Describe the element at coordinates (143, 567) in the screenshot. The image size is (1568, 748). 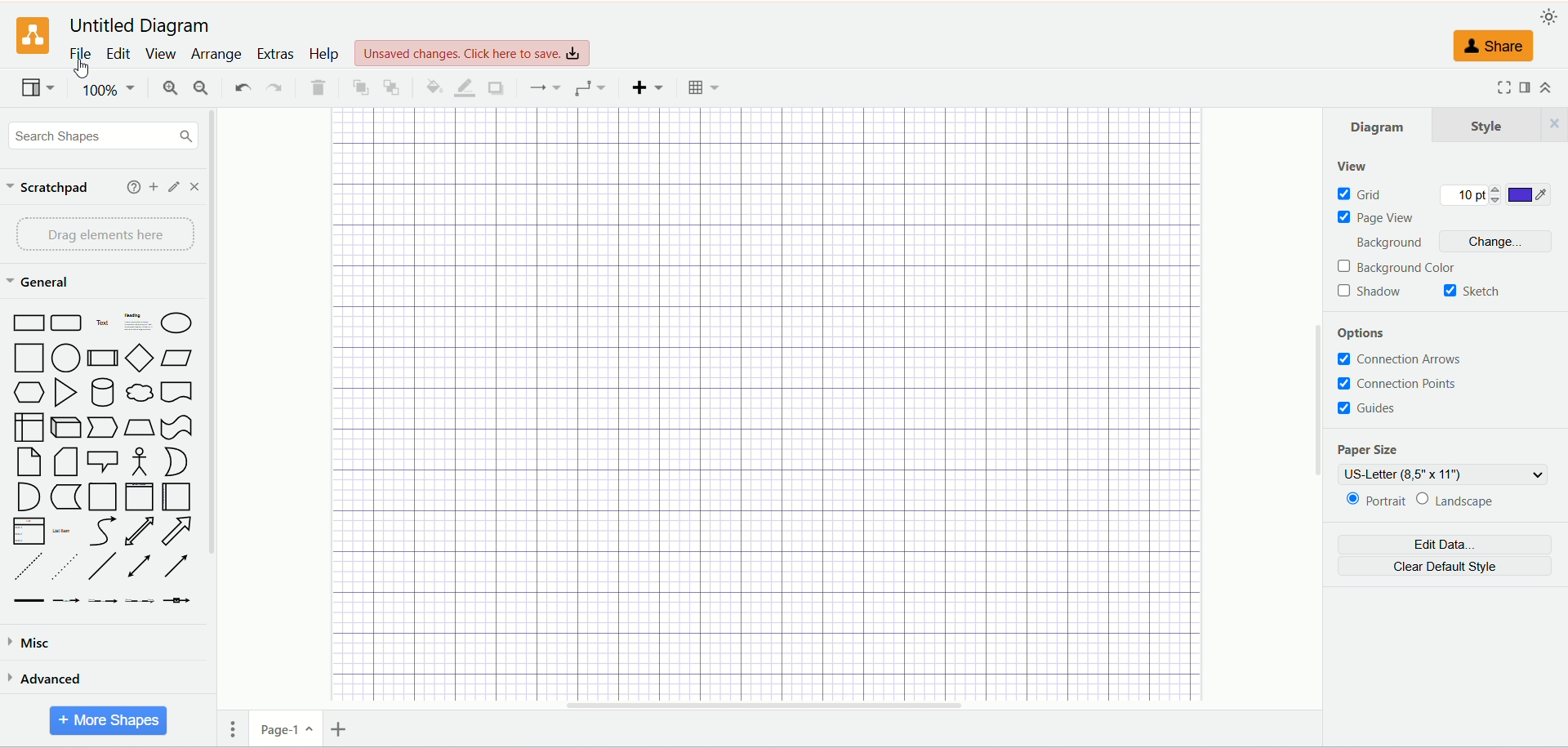
I see `Bidirectional Connector` at that location.